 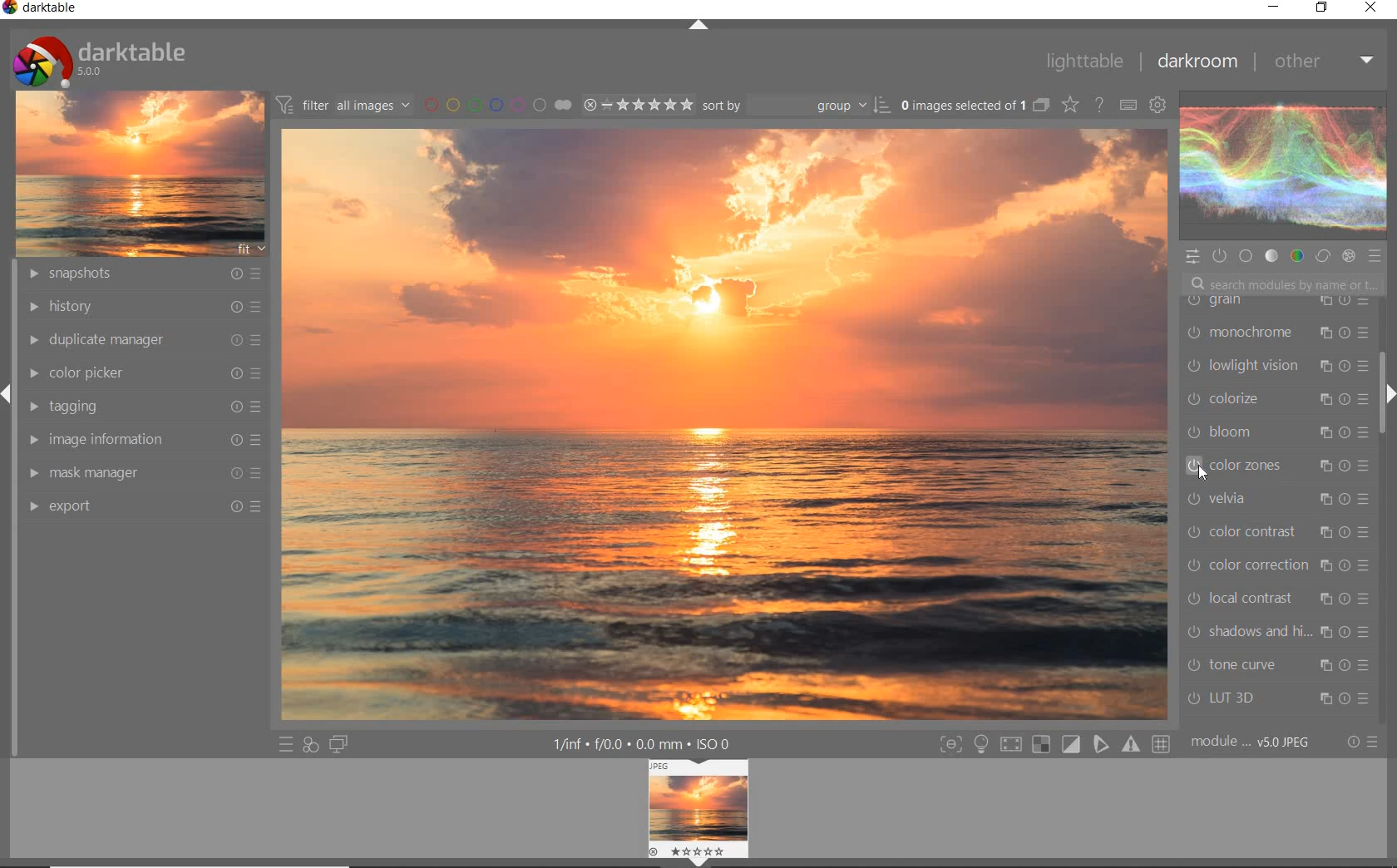 What do you see at coordinates (1194, 255) in the screenshot?
I see `QUICK ACCESS PANEL` at bounding box center [1194, 255].